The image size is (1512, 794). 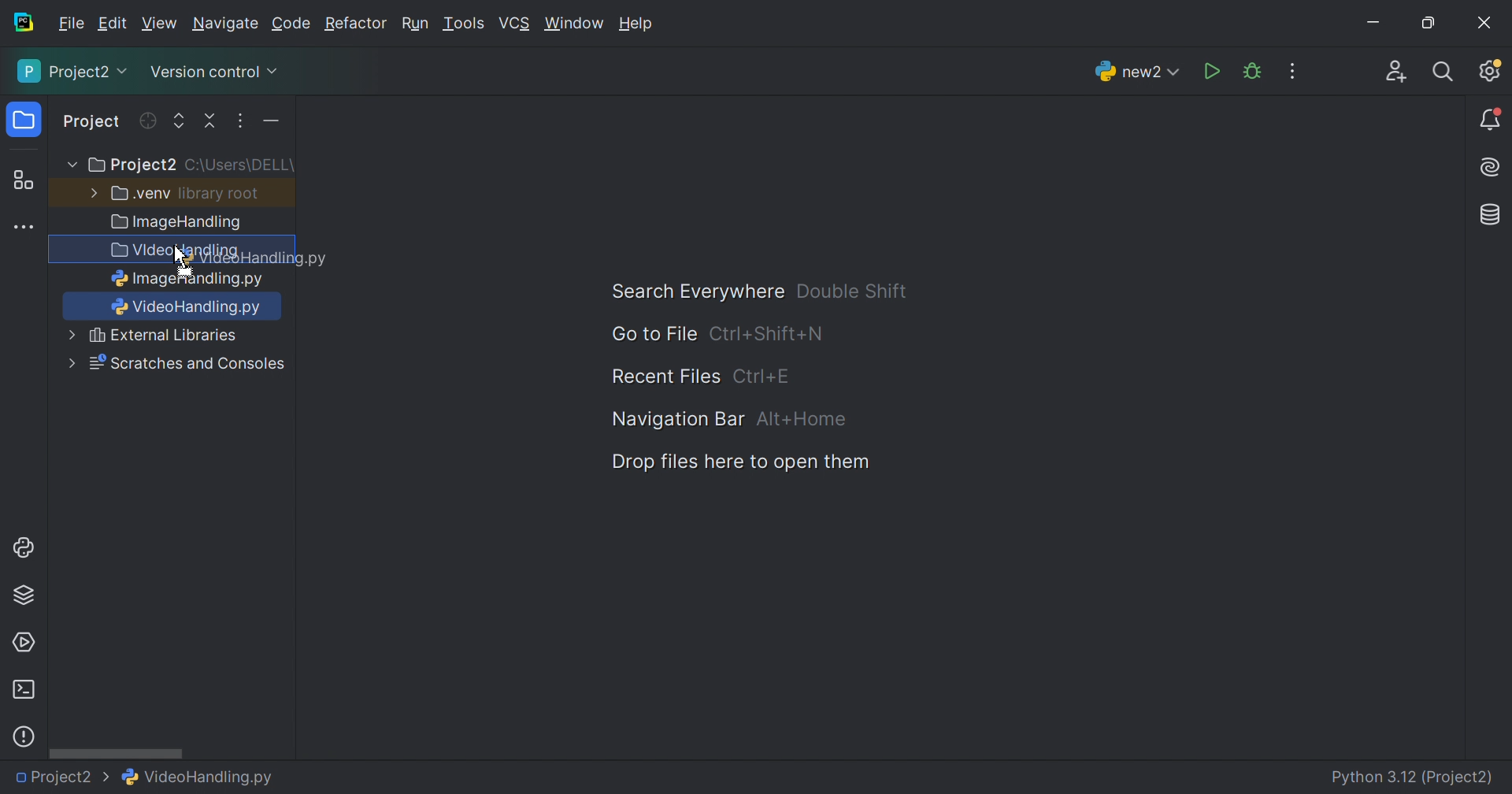 I want to click on Version control, so click(x=213, y=75).